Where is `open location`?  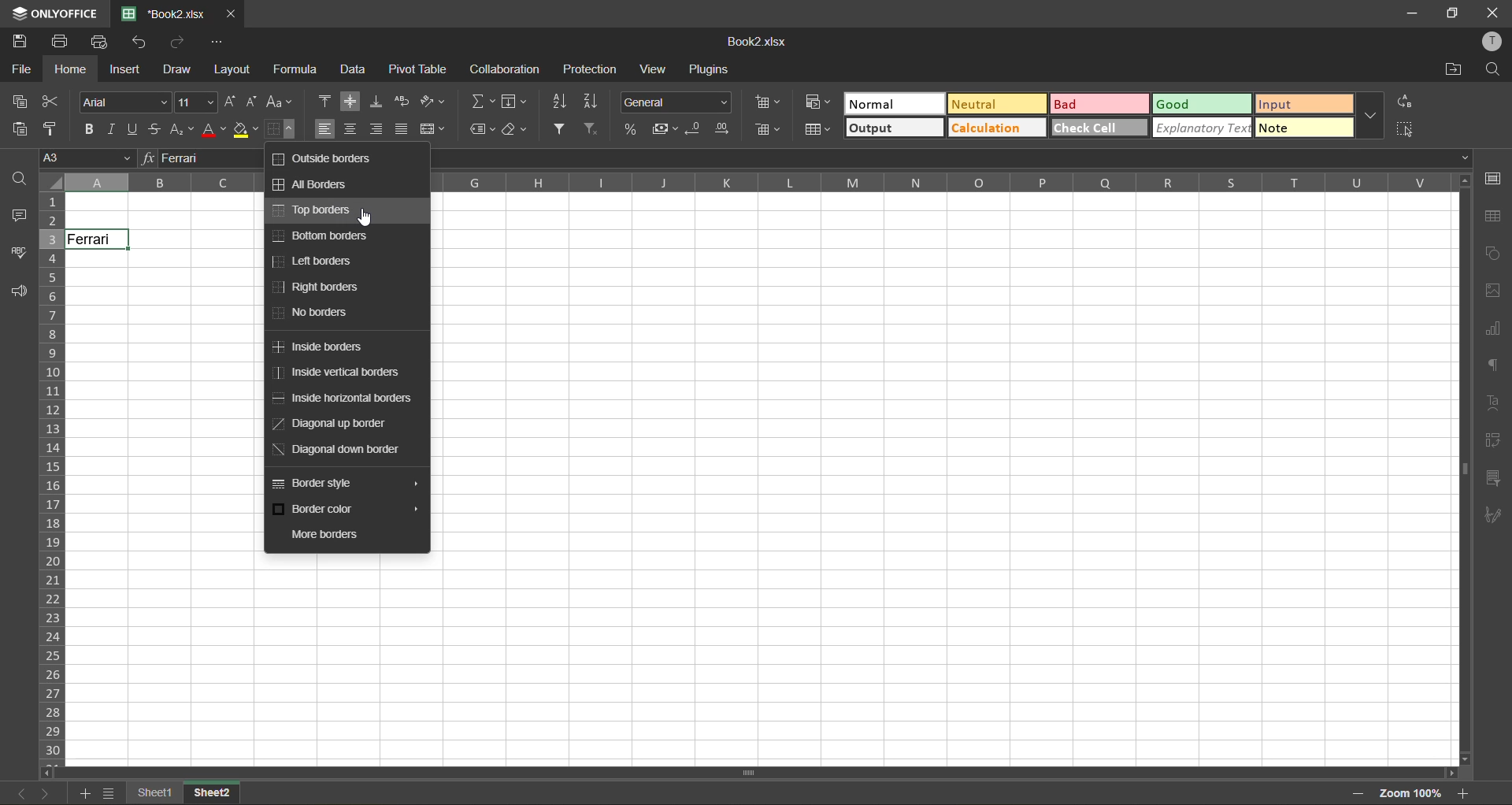
open location is located at coordinates (1455, 69).